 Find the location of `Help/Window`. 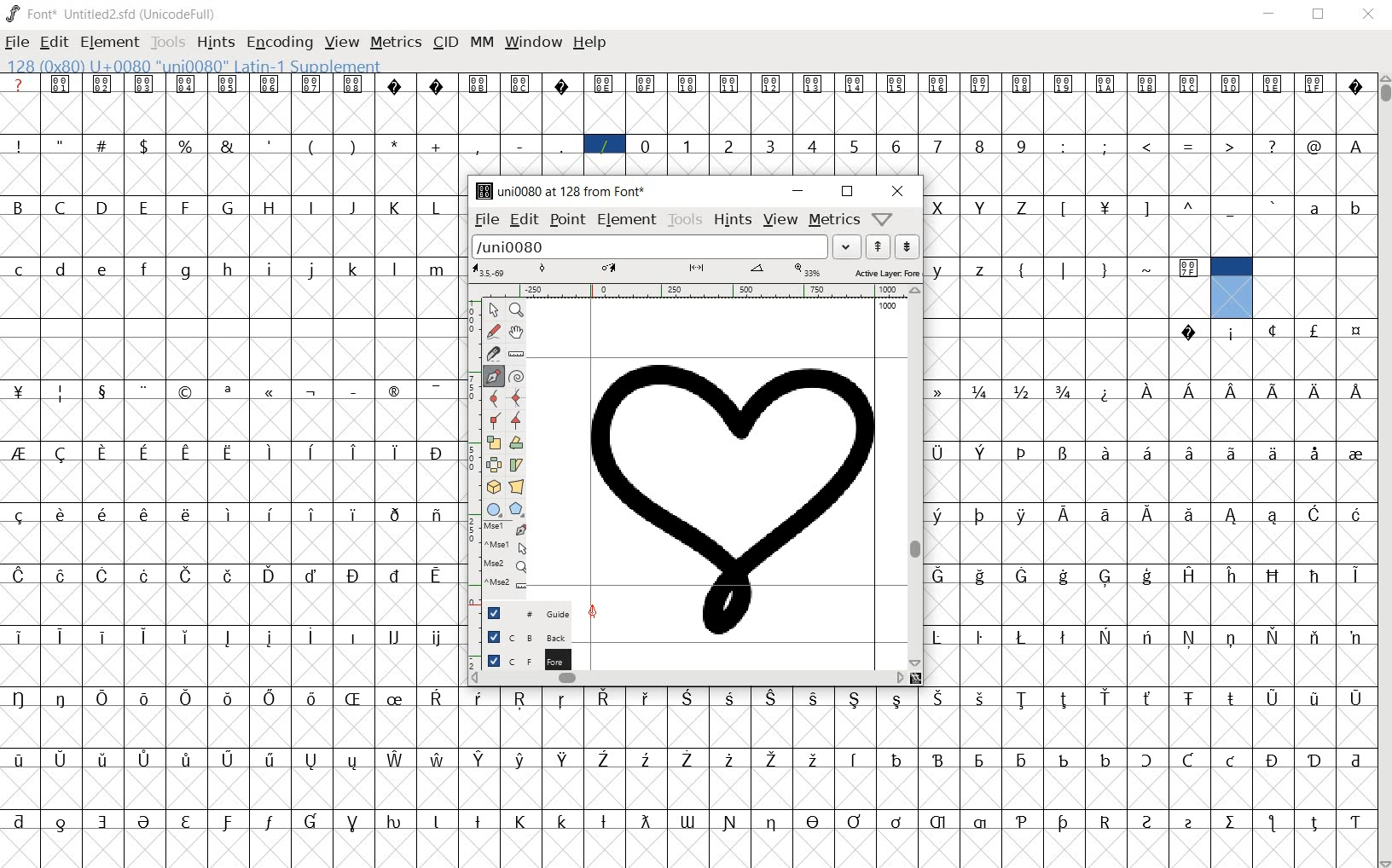

Help/Window is located at coordinates (884, 217).